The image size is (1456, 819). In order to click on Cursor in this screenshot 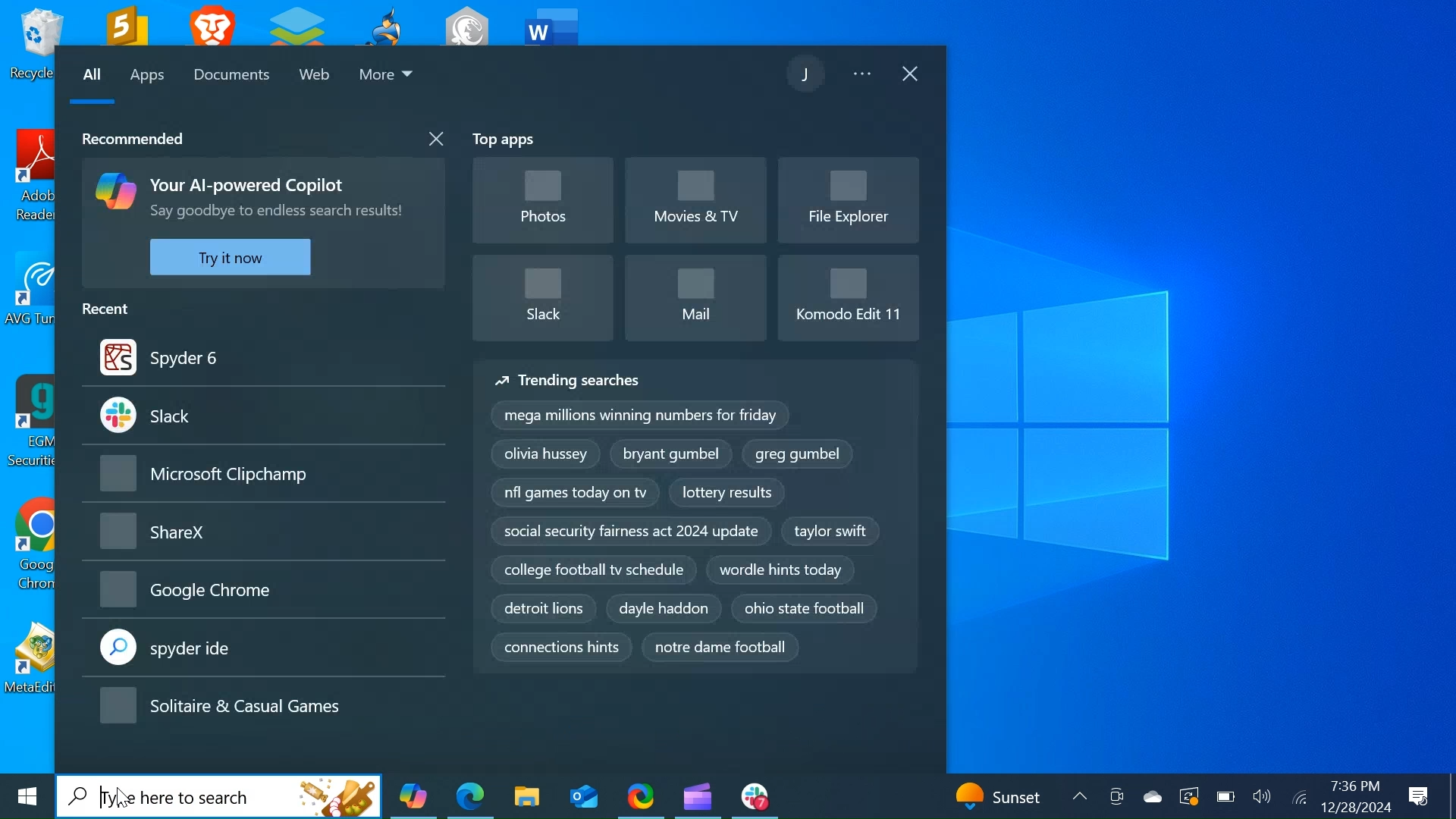, I will do `click(123, 797)`.